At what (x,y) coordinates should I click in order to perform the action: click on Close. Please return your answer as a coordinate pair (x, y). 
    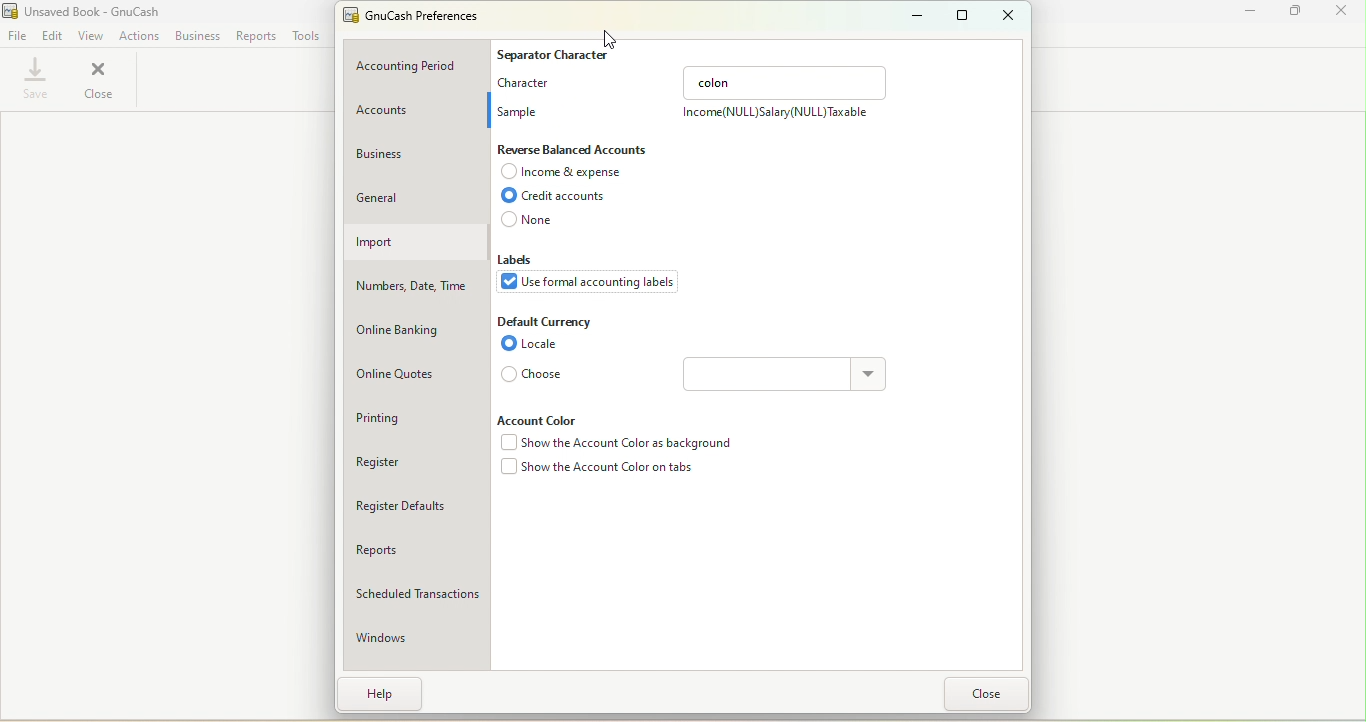
    Looking at the image, I should click on (1009, 15).